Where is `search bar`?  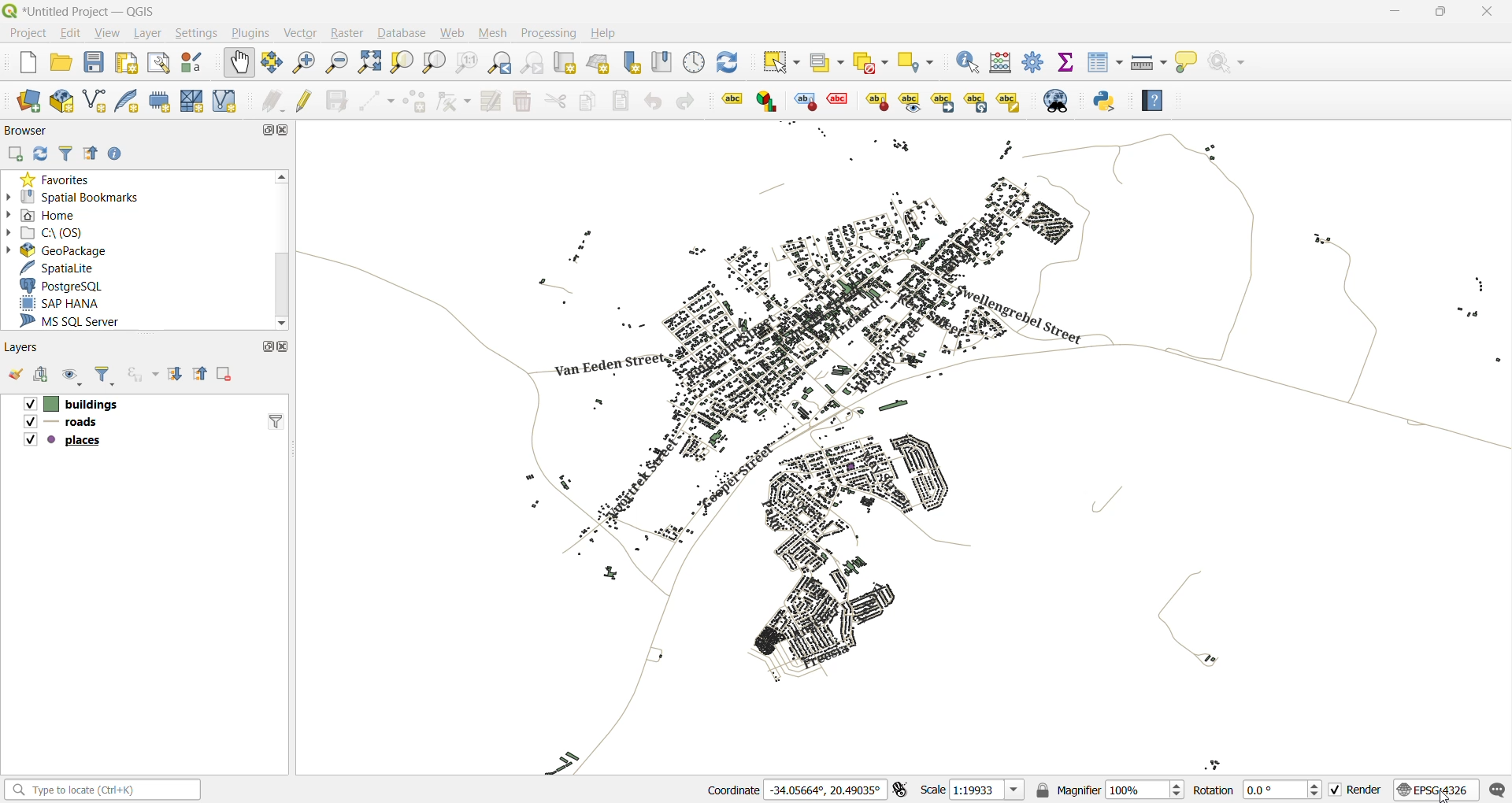
search bar is located at coordinates (105, 790).